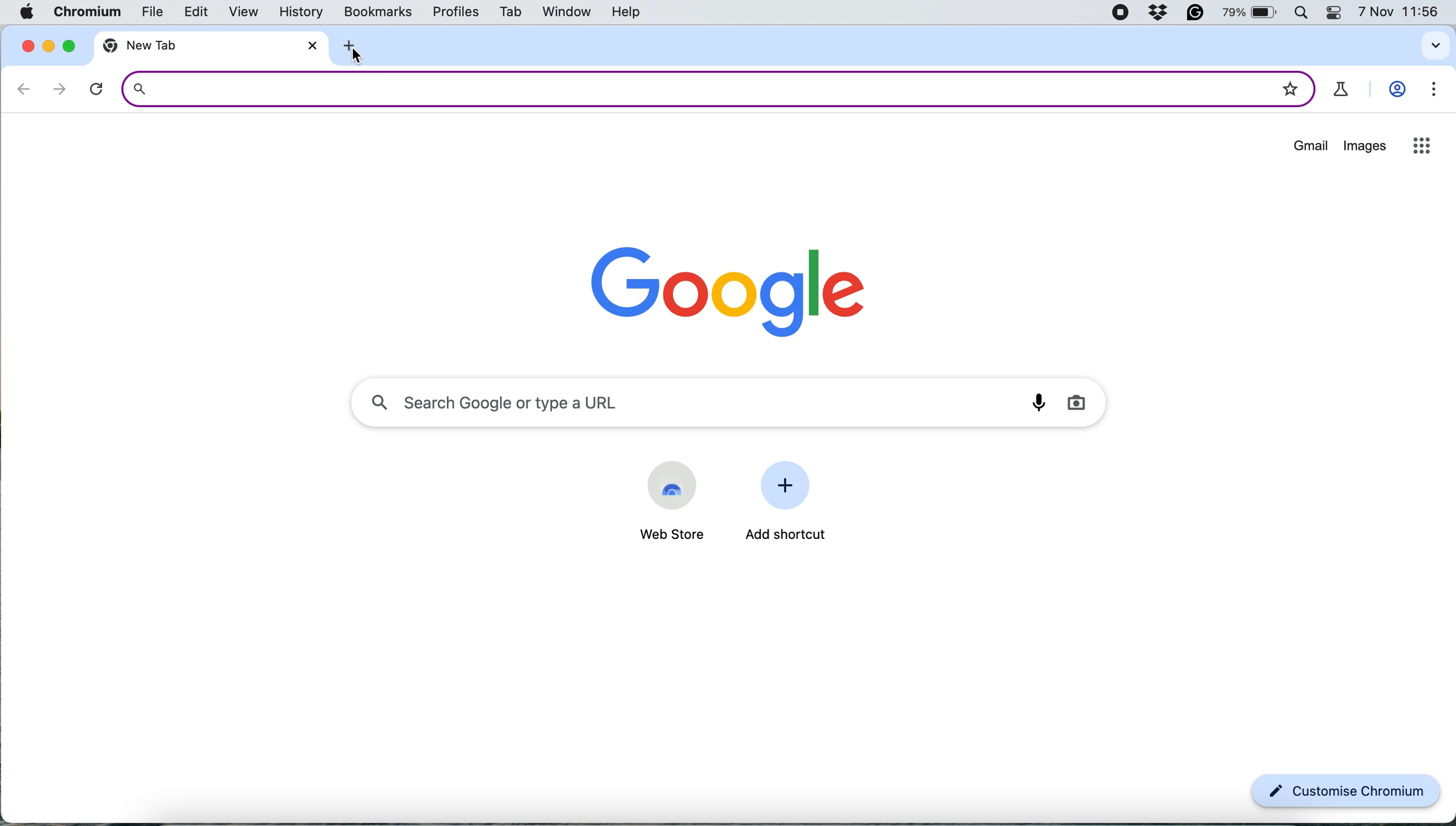 The width and height of the screenshot is (1456, 826). What do you see at coordinates (1197, 13) in the screenshot?
I see `grammarly` at bounding box center [1197, 13].